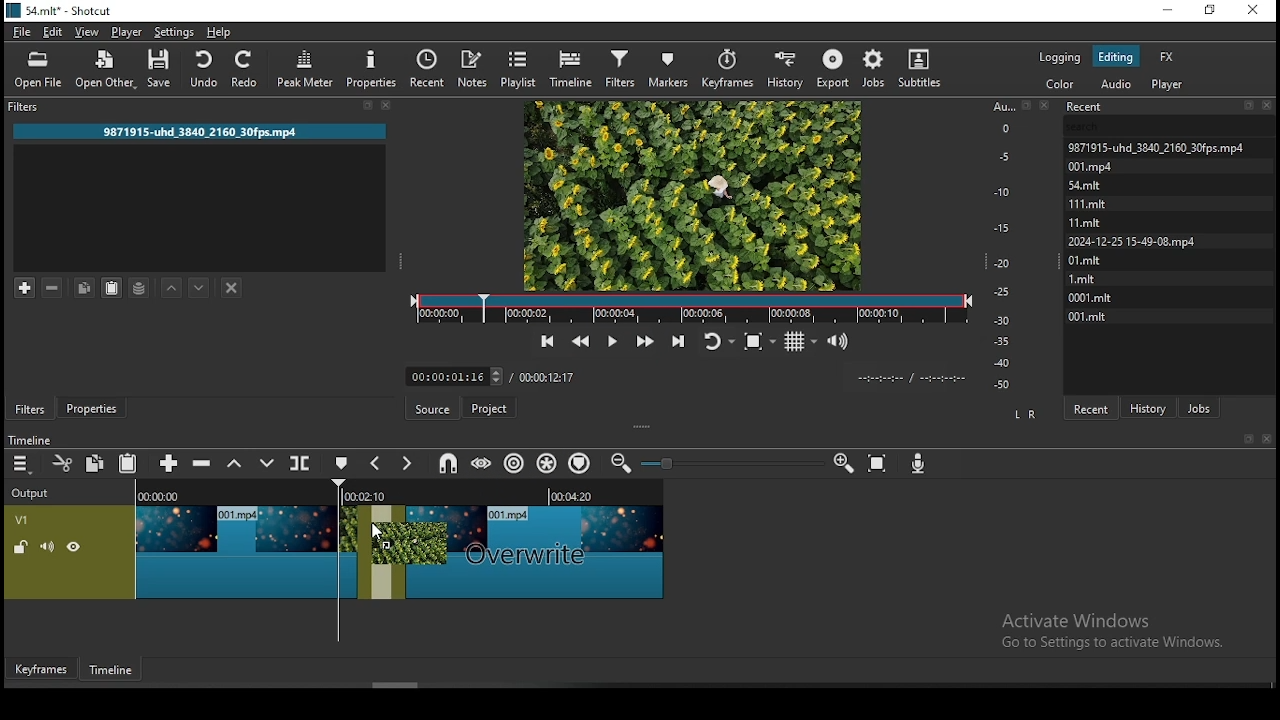 This screenshot has height=720, width=1280. What do you see at coordinates (1244, 439) in the screenshot?
I see `bookmark` at bounding box center [1244, 439].